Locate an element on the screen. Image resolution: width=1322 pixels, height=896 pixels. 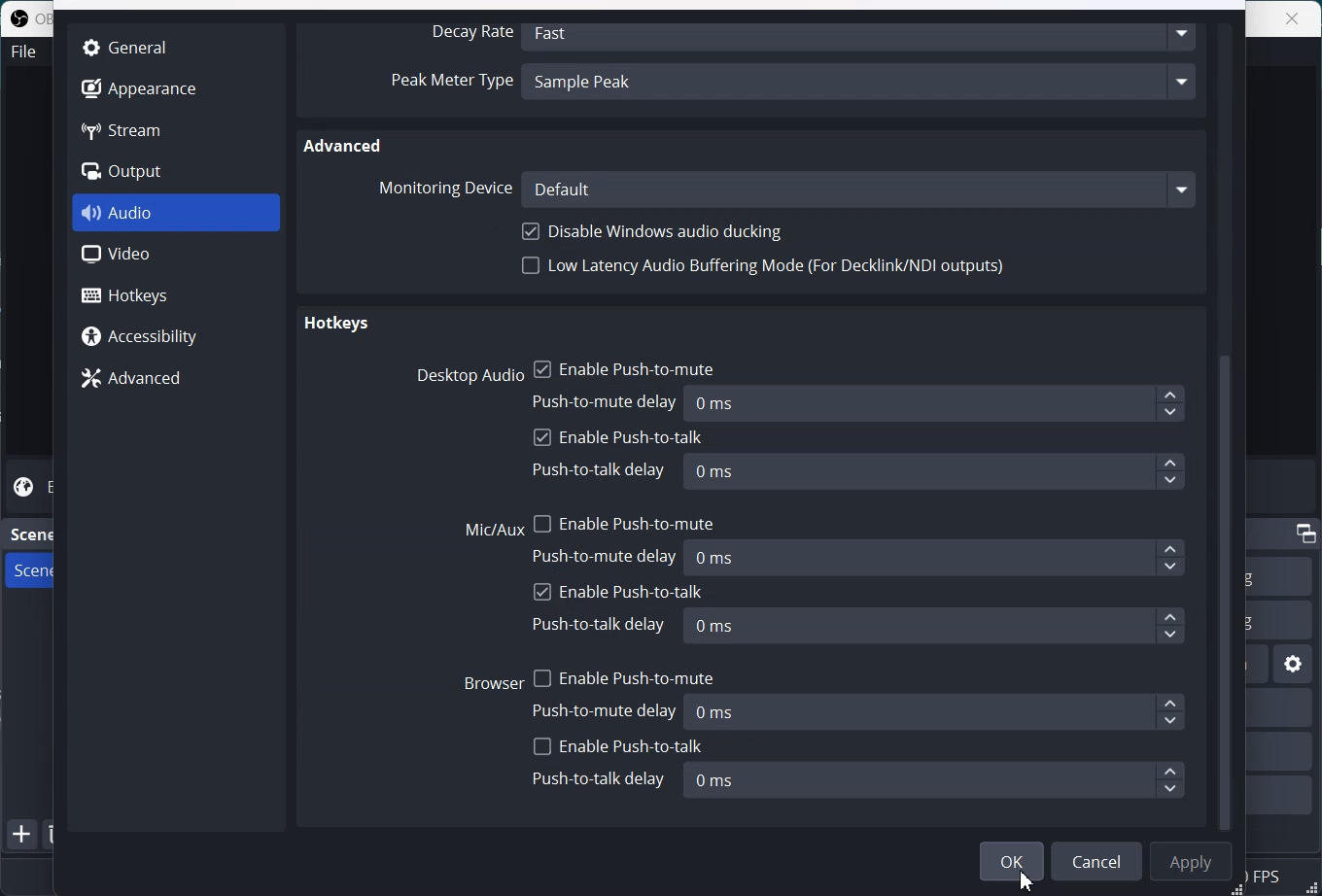
Low Latency Audio Buffering Mode (For Decklink/NDI outputs) is located at coordinates (765, 271).